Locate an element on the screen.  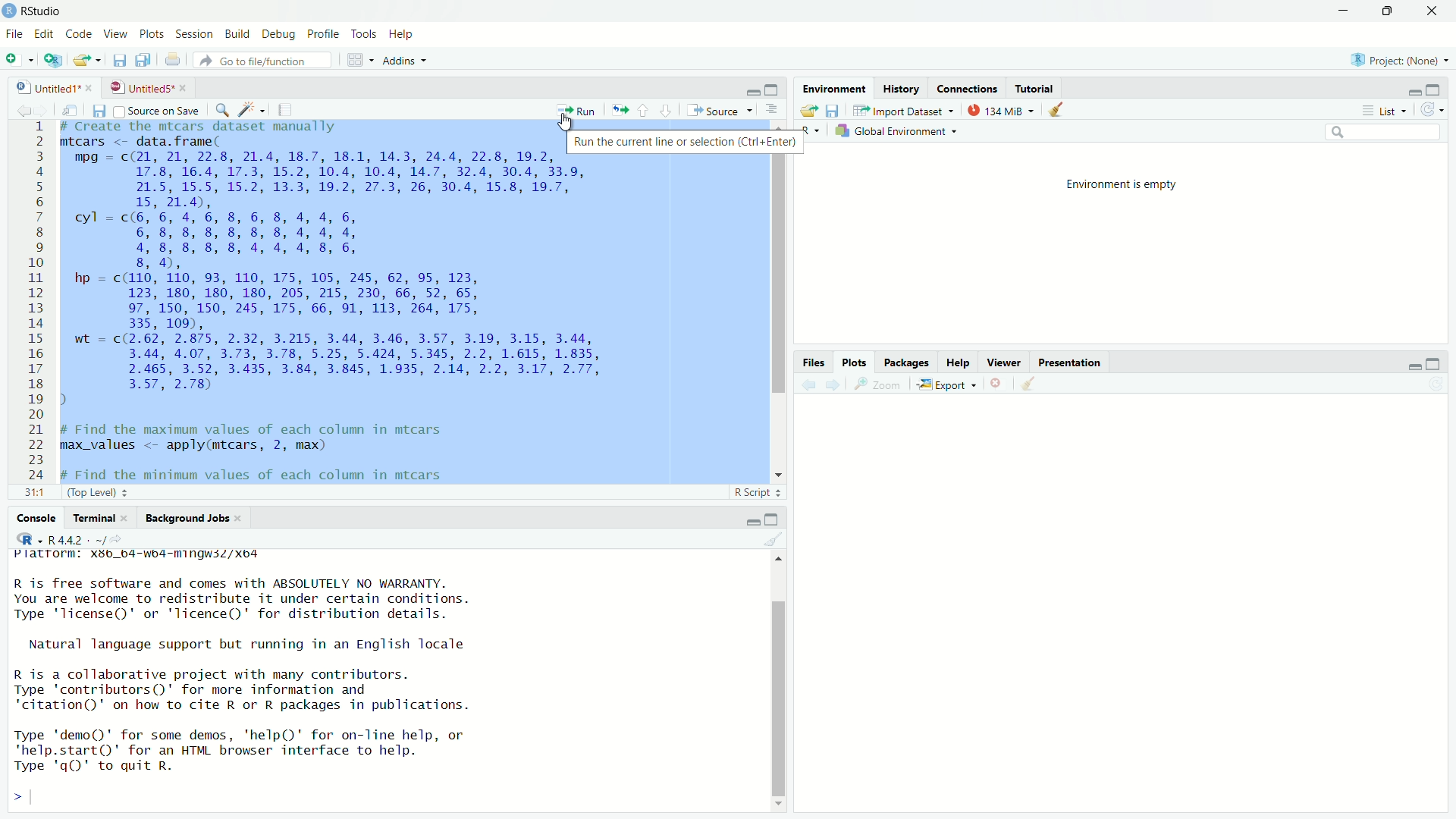
platrorm: x¥b_b4-wo4-mingw3Z/xo4

R is free software and comes with ABSOLUTELY NO WARRANTY.

You are welcome to redistribute it under certain conditions.

Type 'license()' or 'licence()' for distribution details.
Natural language support but running in an English locale

R is a collaborative project with many contributors.

Type 'contributors()' for more information and

'citation()' on how to cite R or R packages in publications.

Type 'demo()' for some demos, 'help()' for on-Tine help, or

'help.start()"' for an HTML browser interface to help.

Type 'qQ' to quit R.

> is located at coordinates (287, 678).